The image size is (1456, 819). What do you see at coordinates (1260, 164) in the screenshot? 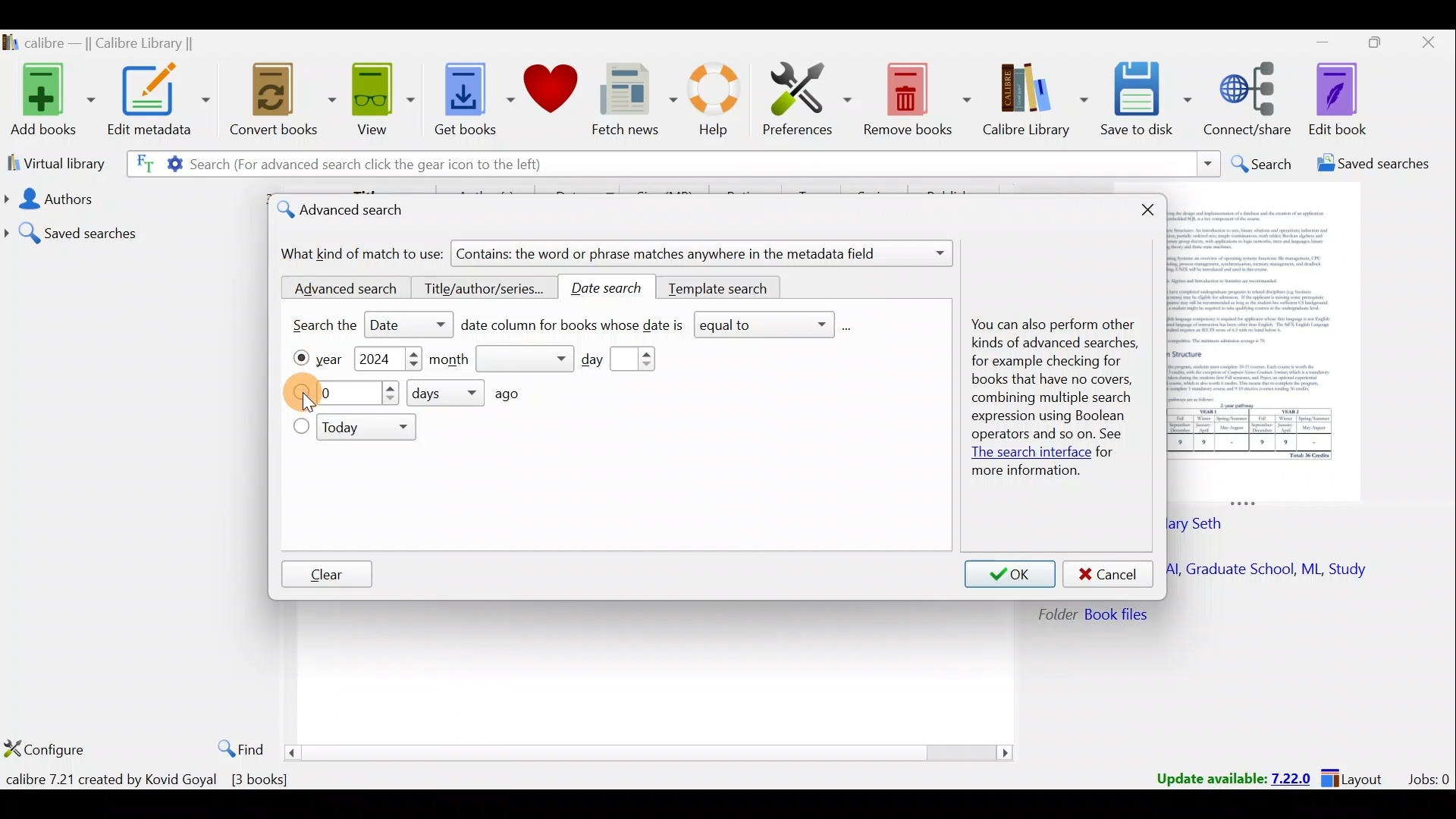
I see `Search` at bounding box center [1260, 164].